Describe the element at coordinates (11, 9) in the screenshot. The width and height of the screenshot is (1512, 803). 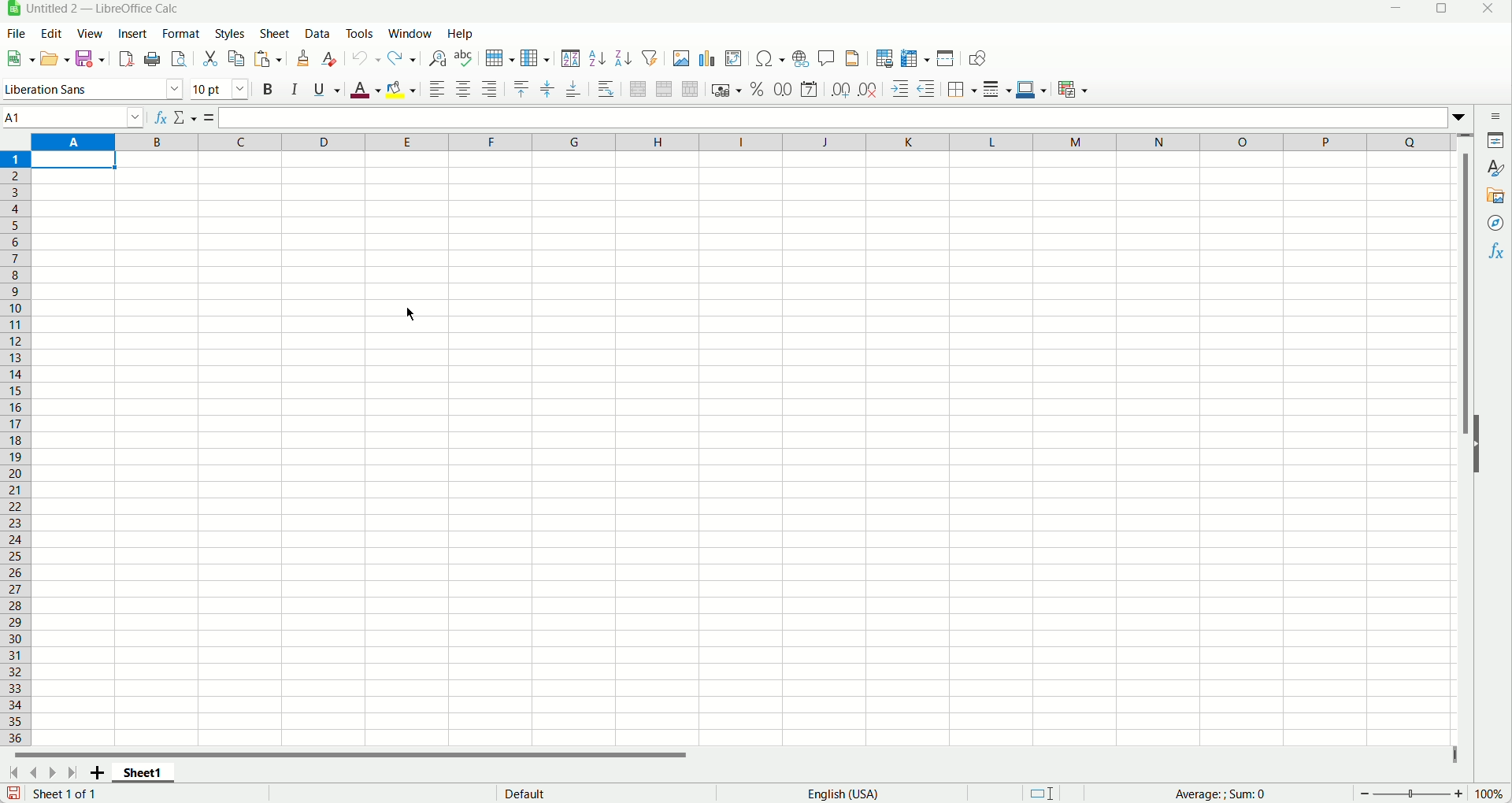
I see `App icon` at that location.